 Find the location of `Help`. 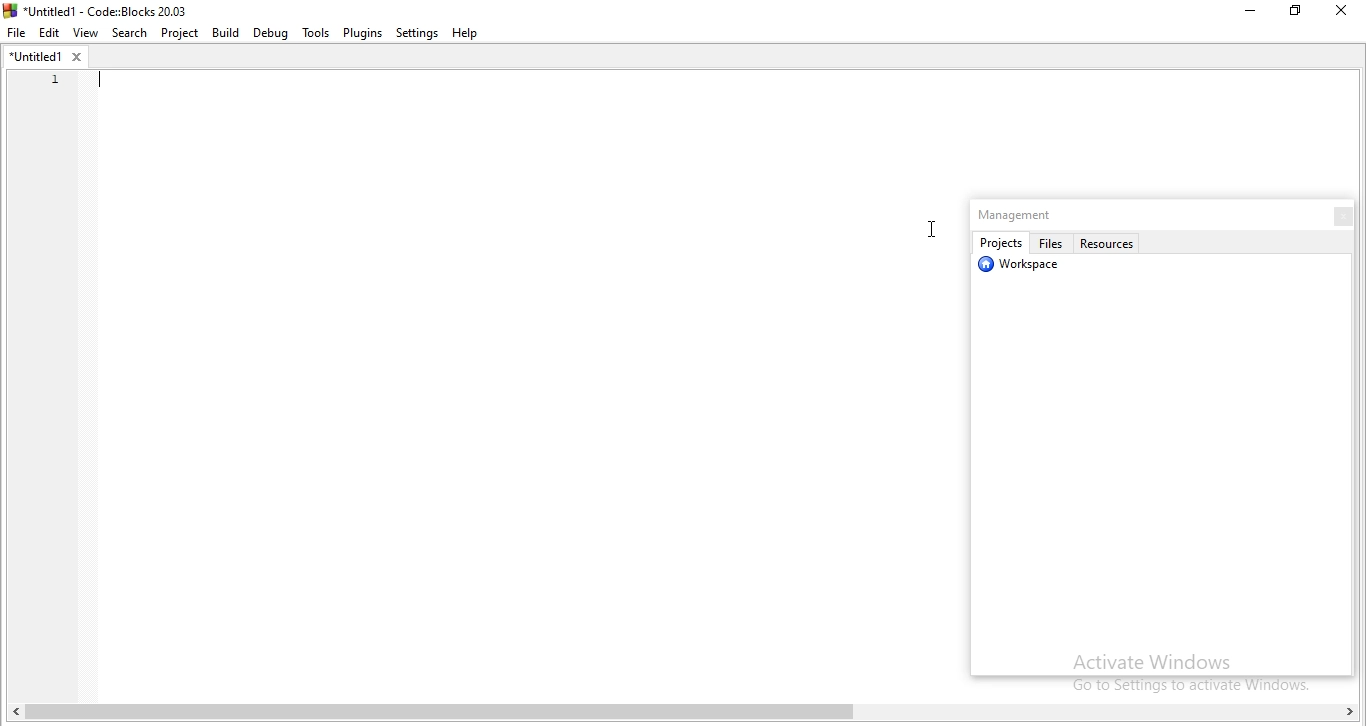

Help is located at coordinates (472, 32).